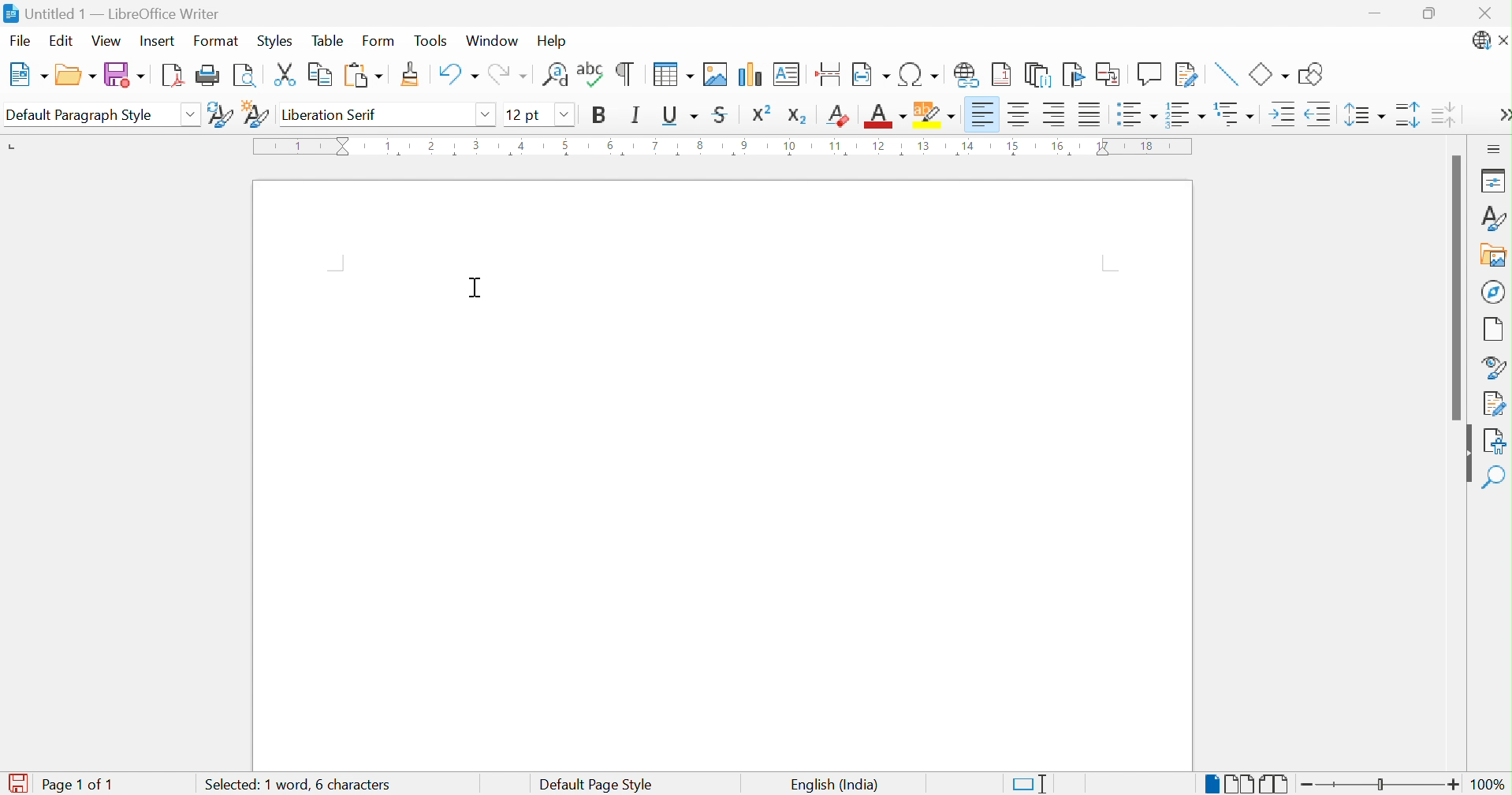  I want to click on Export as PDF, so click(173, 77).